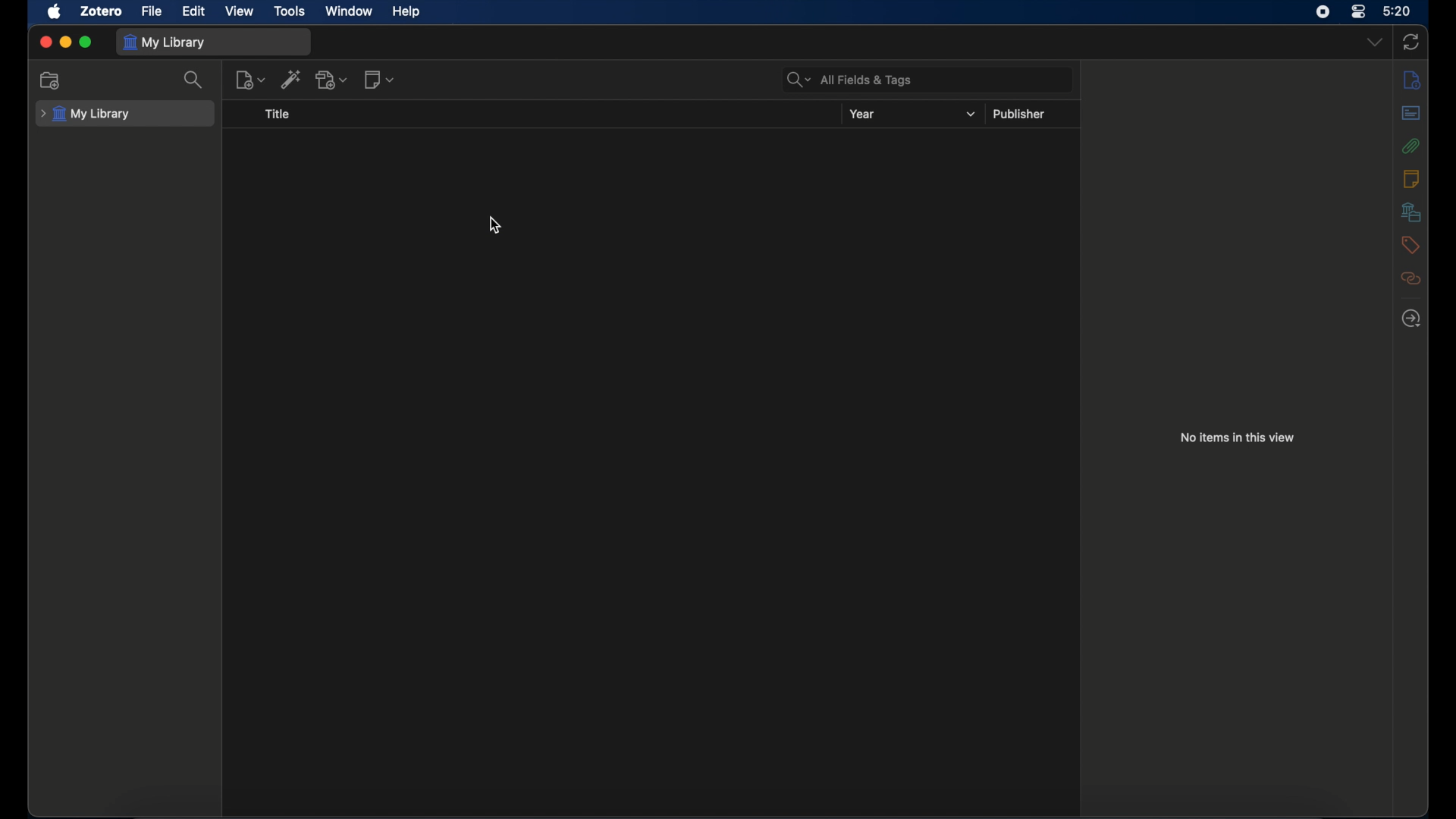 The image size is (1456, 819). Describe the element at coordinates (406, 11) in the screenshot. I see `help` at that location.